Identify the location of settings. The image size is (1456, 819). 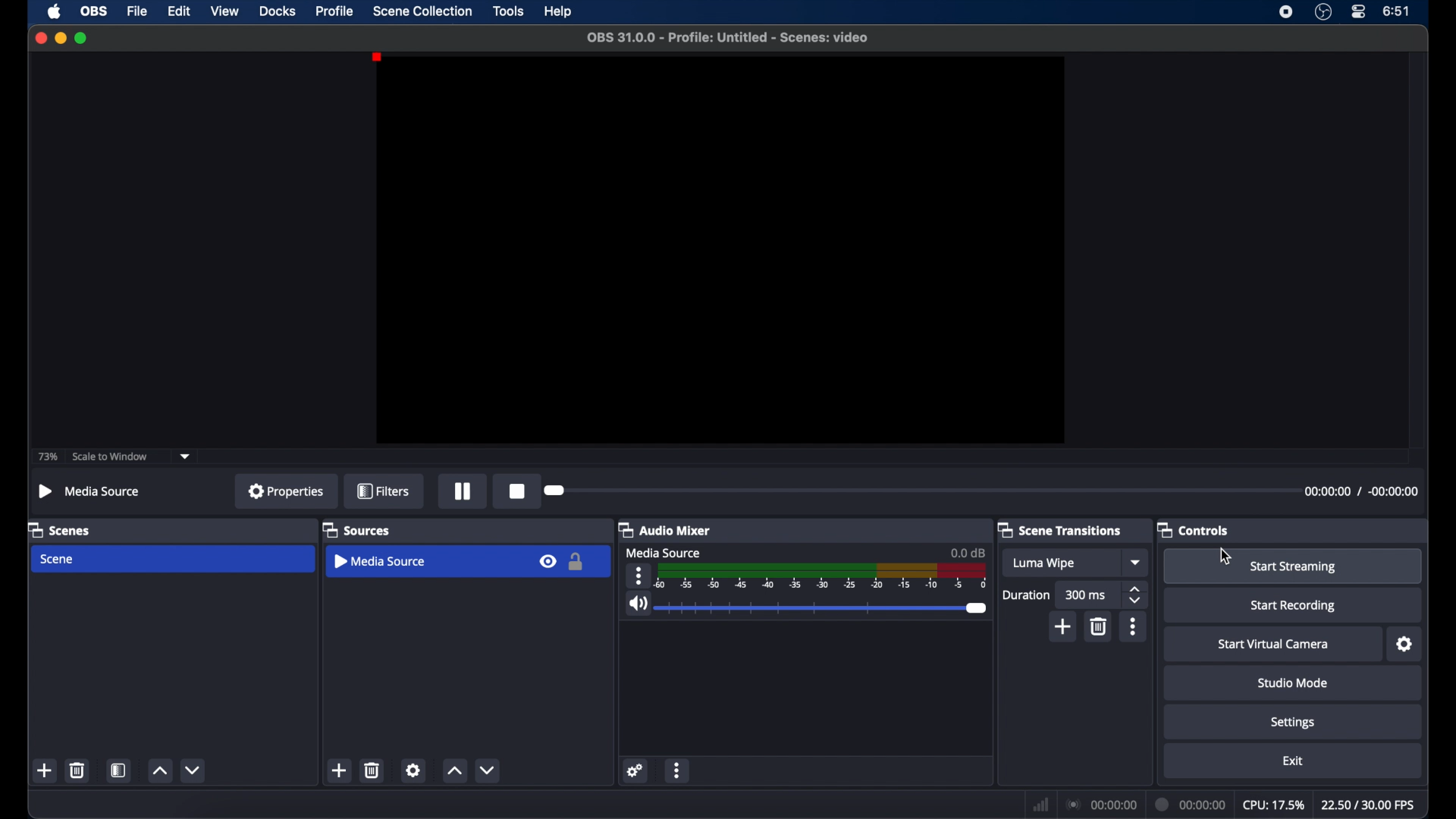
(1294, 723).